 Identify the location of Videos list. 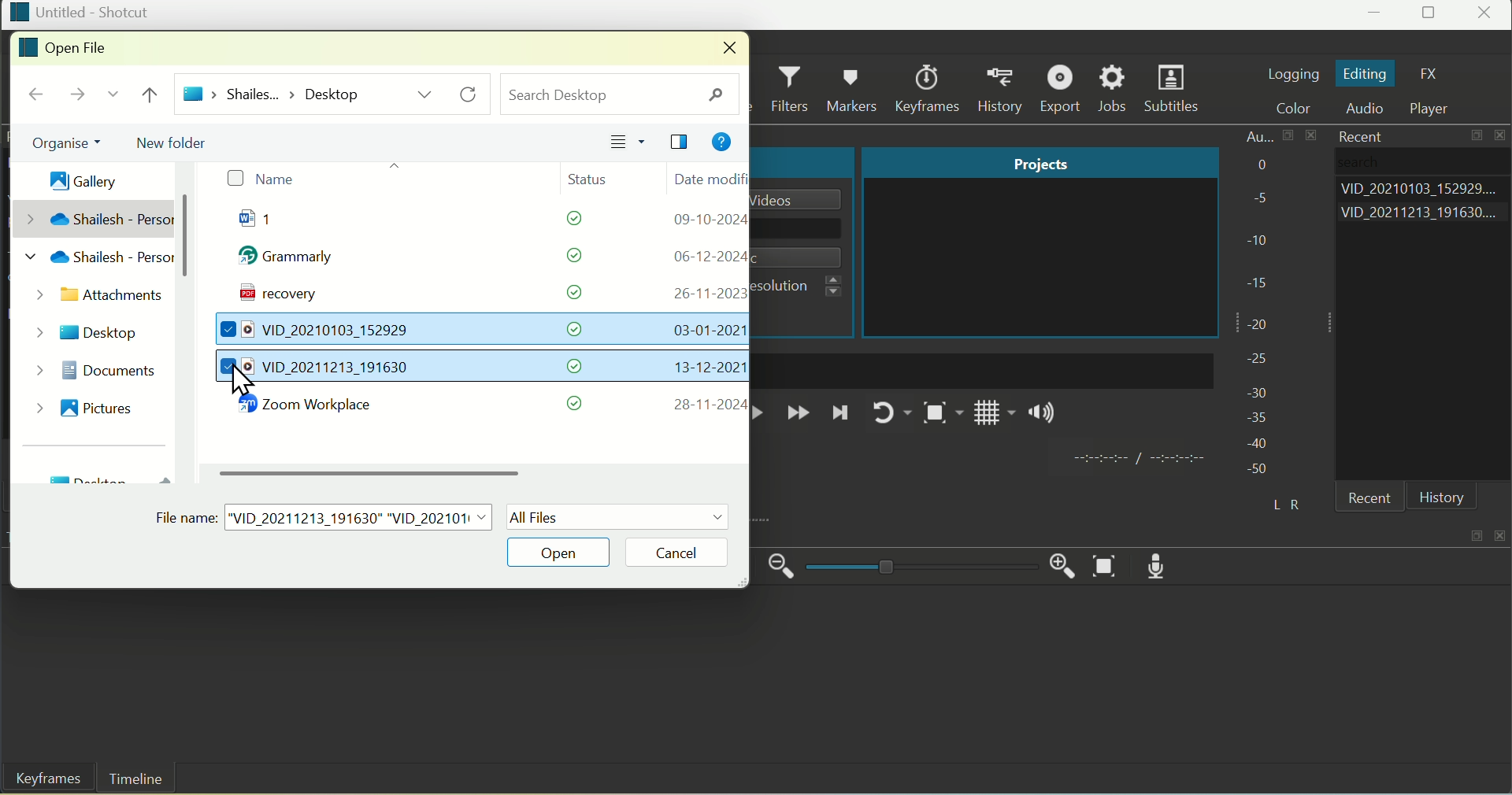
(1424, 215).